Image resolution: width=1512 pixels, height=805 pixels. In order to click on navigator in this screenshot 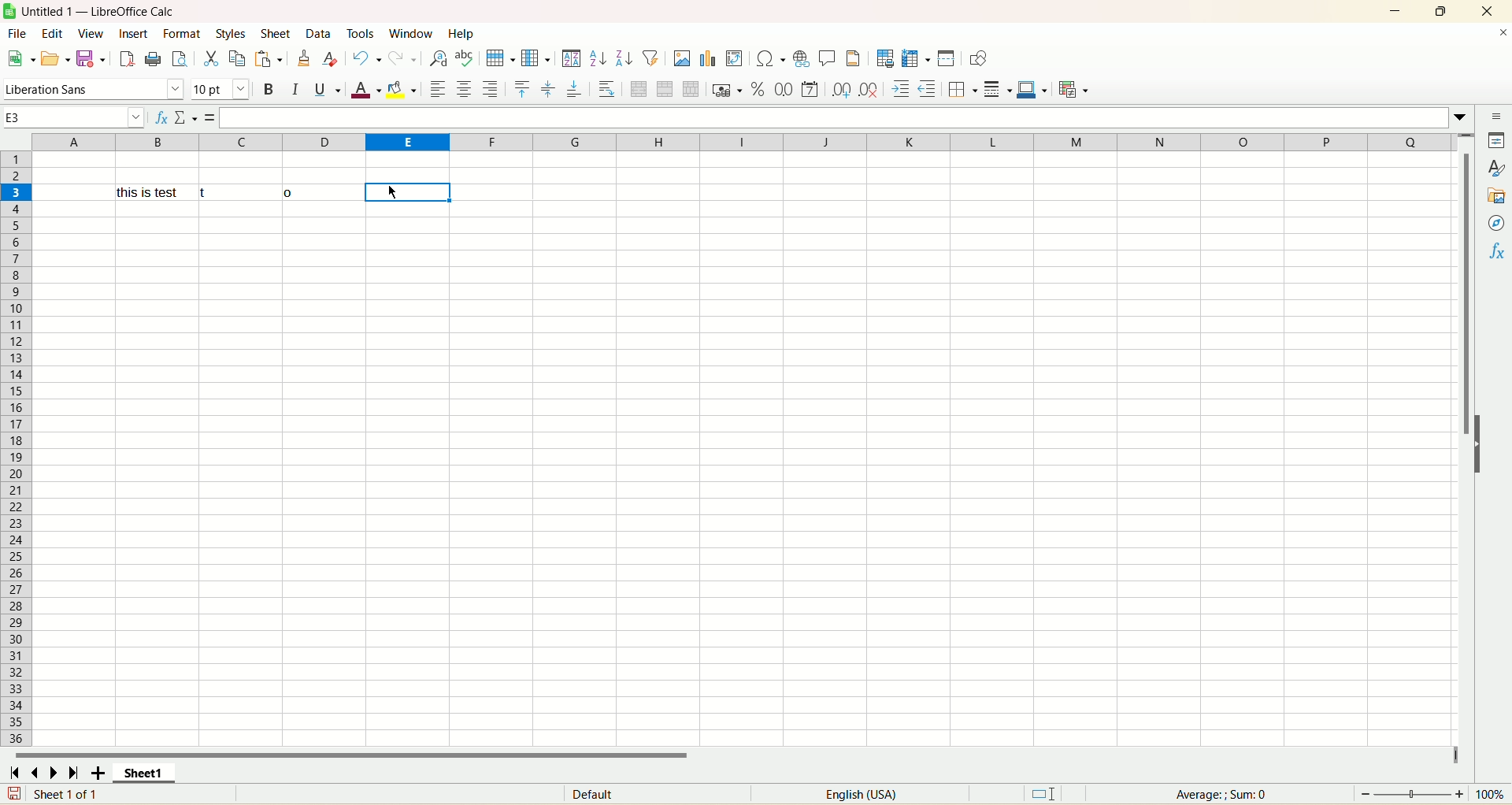, I will do `click(1495, 224)`.